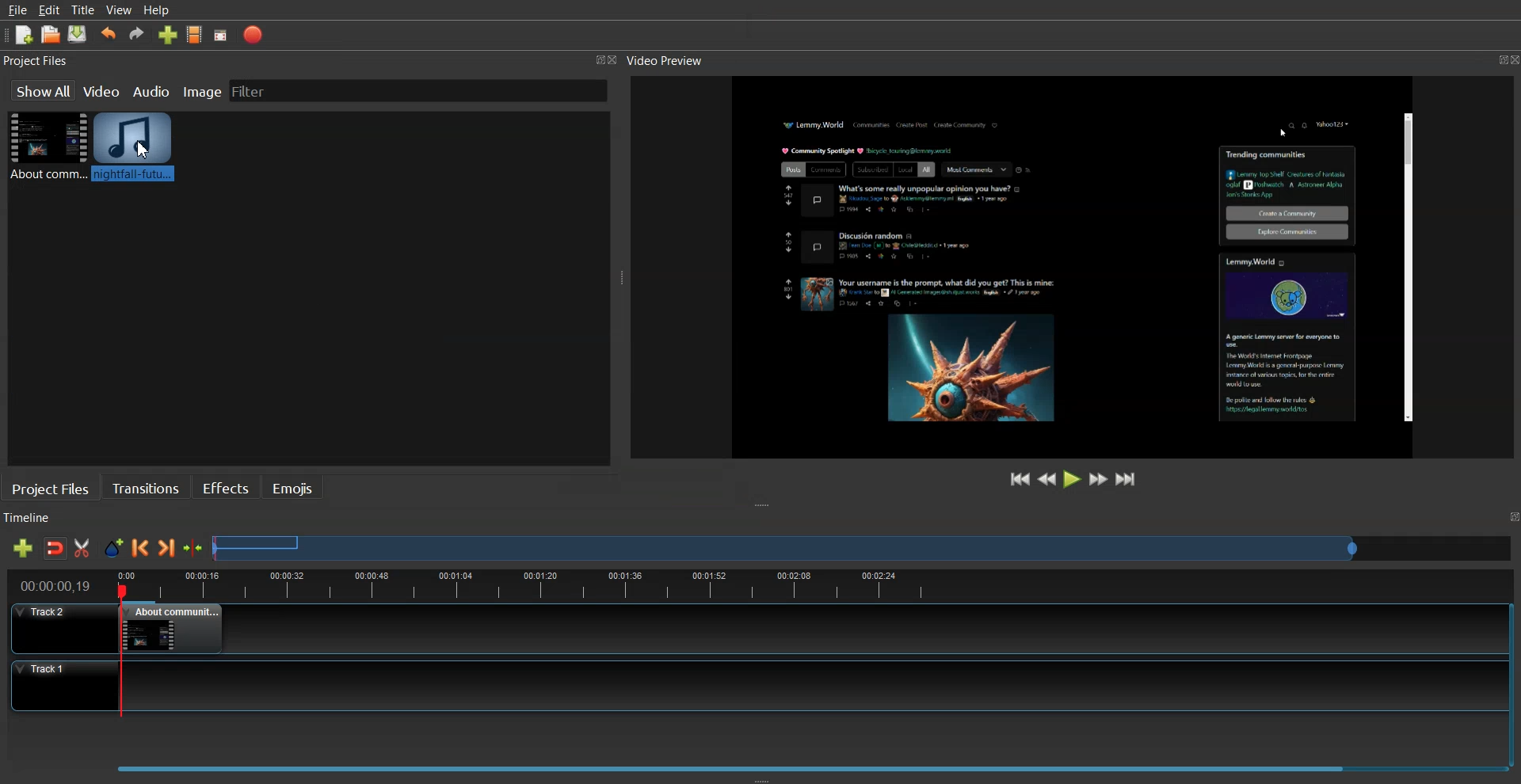 This screenshot has width=1521, height=784. I want to click on Track 1, so click(748, 686).